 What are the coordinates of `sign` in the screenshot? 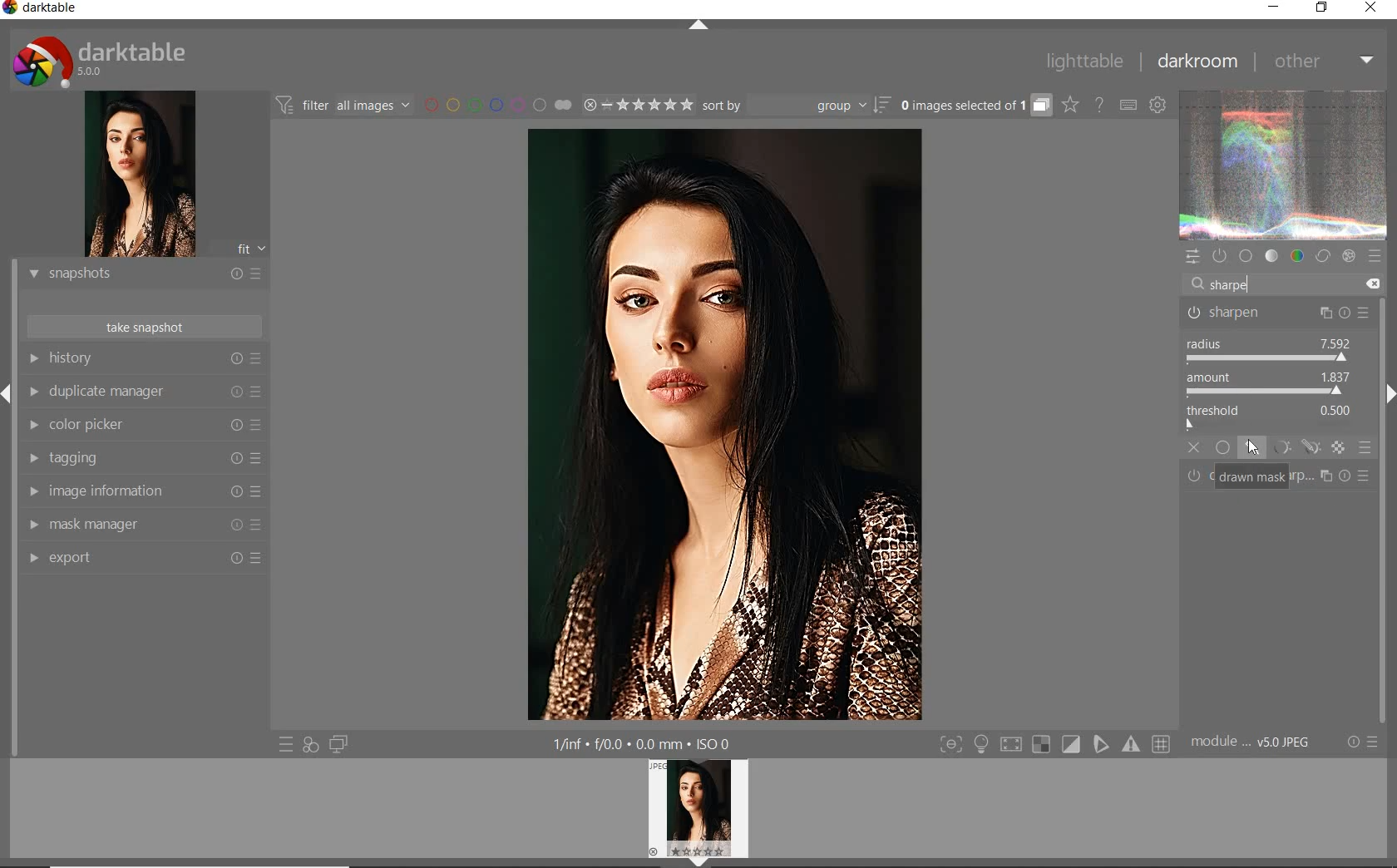 It's located at (1325, 478).